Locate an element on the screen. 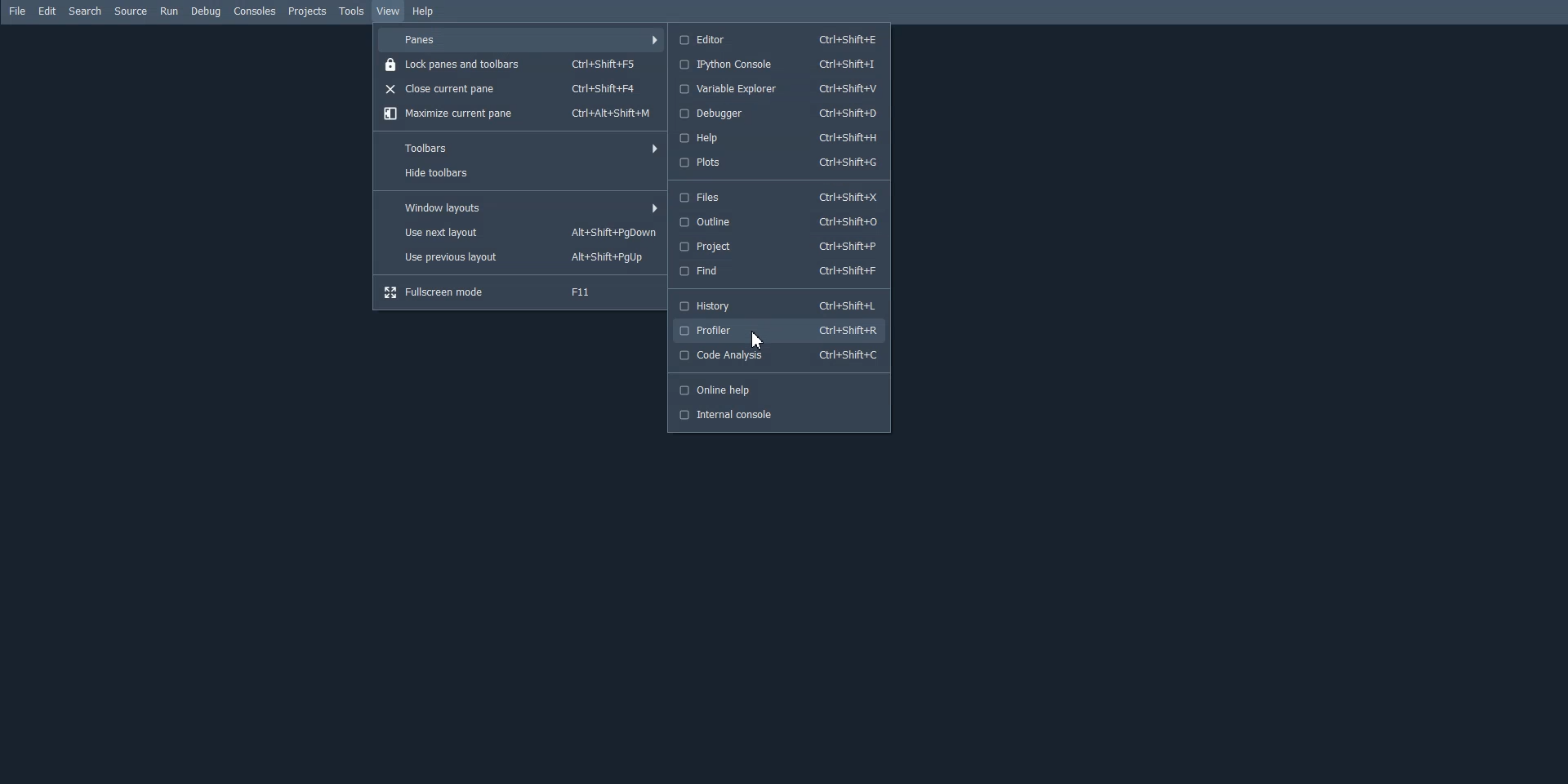  Search is located at coordinates (86, 11).